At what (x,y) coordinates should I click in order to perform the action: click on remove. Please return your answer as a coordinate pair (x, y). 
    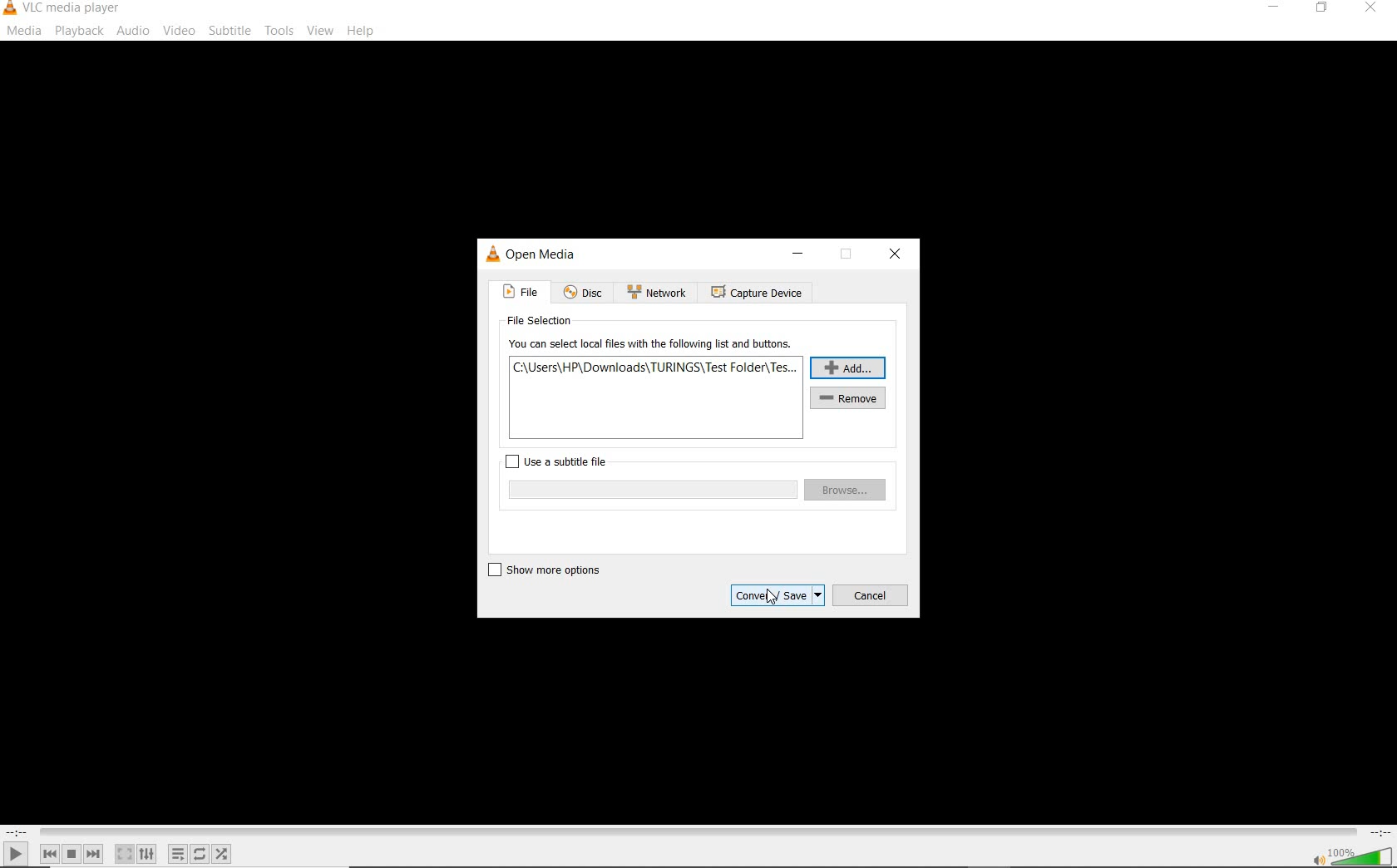
    Looking at the image, I should click on (850, 398).